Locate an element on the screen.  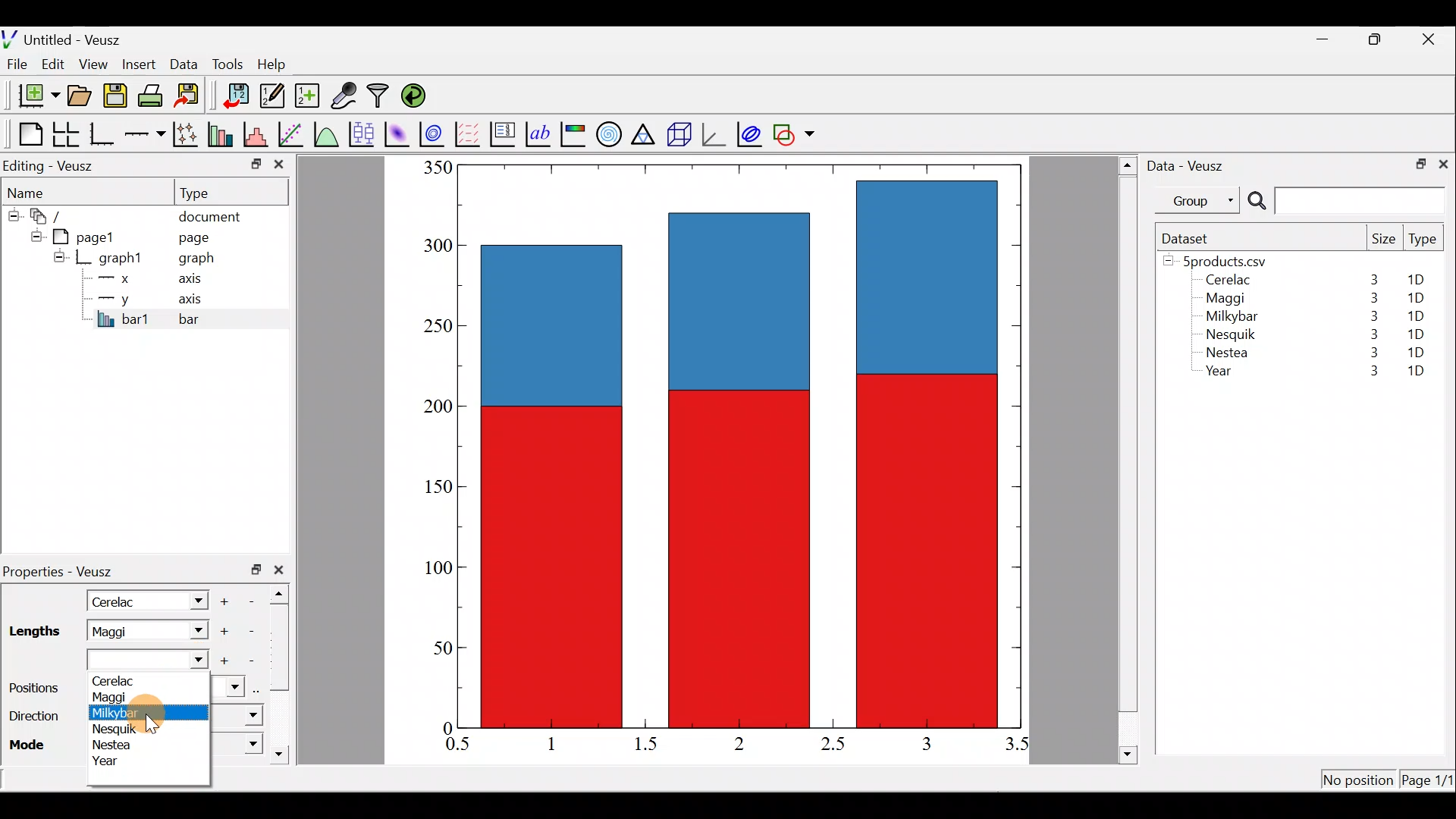
Add another item is located at coordinates (222, 632).